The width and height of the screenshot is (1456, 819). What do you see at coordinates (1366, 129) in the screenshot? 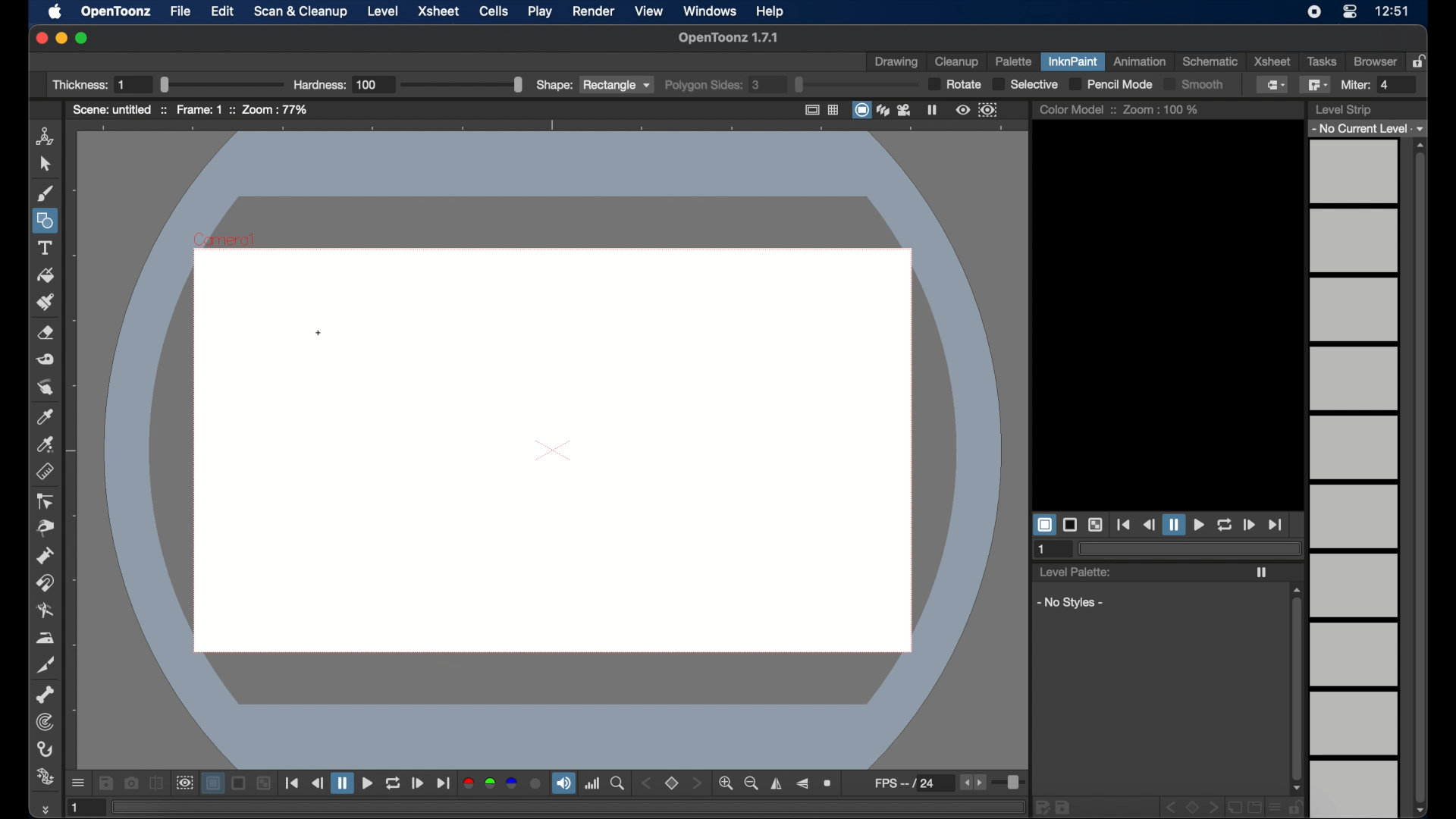
I see `no current level ` at bounding box center [1366, 129].